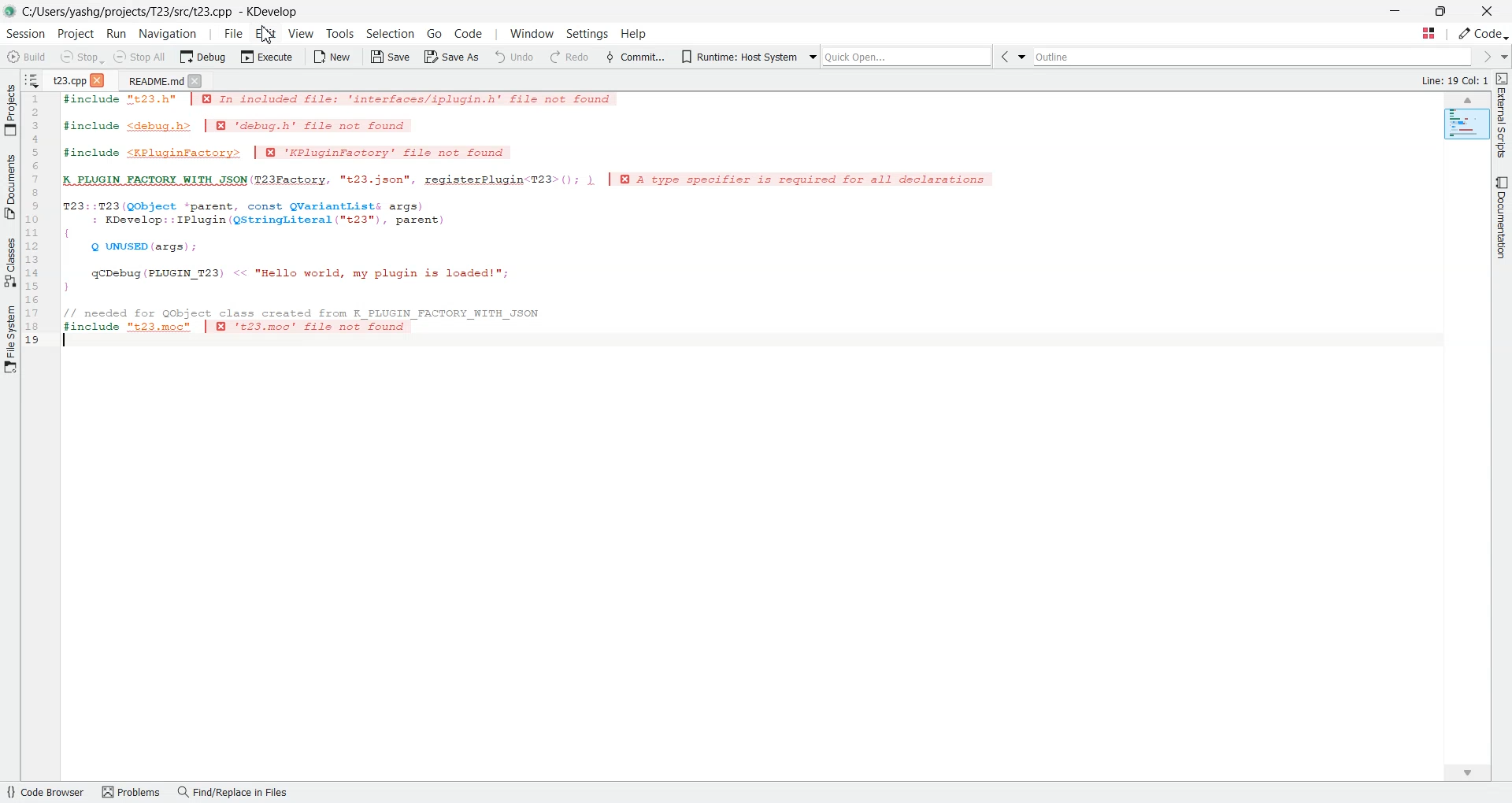 Image resolution: width=1512 pixels, height=803 pixels. I want to click on Scroll up, so click(1468, 100).